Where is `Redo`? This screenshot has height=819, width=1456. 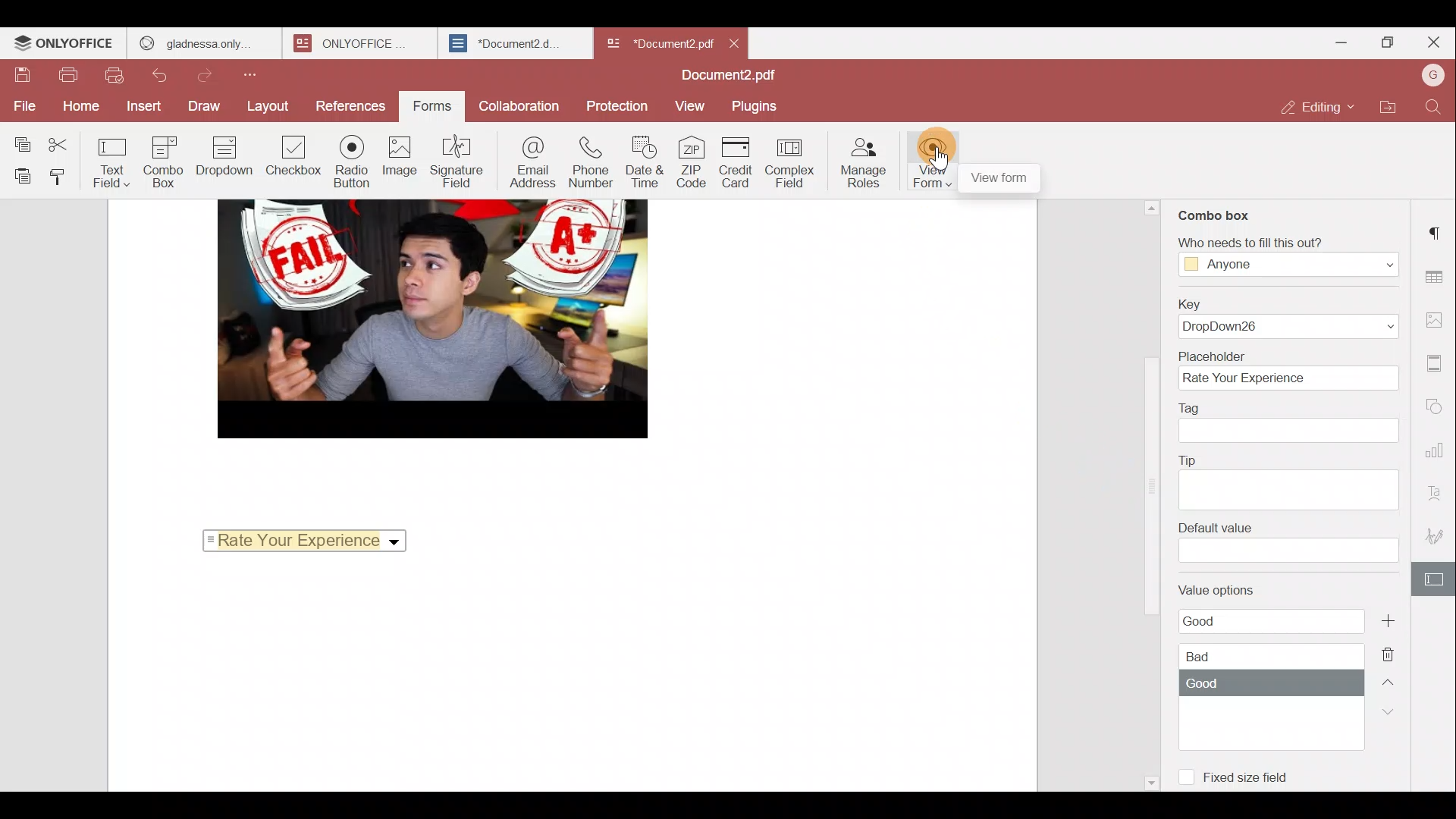 Redo is located at coordinates (212, 76).